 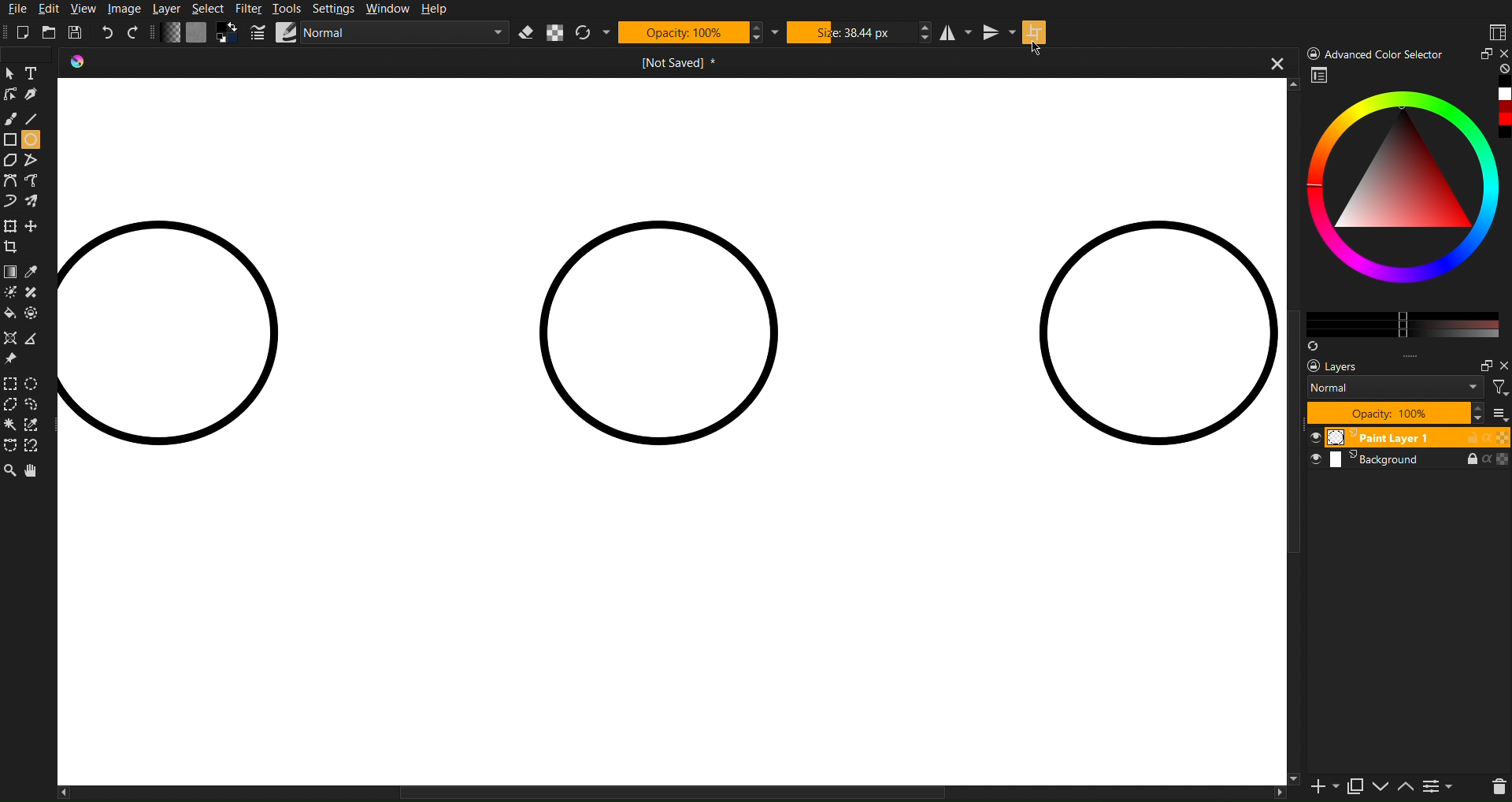 I want to click on close, so click(x=1276, y=66).